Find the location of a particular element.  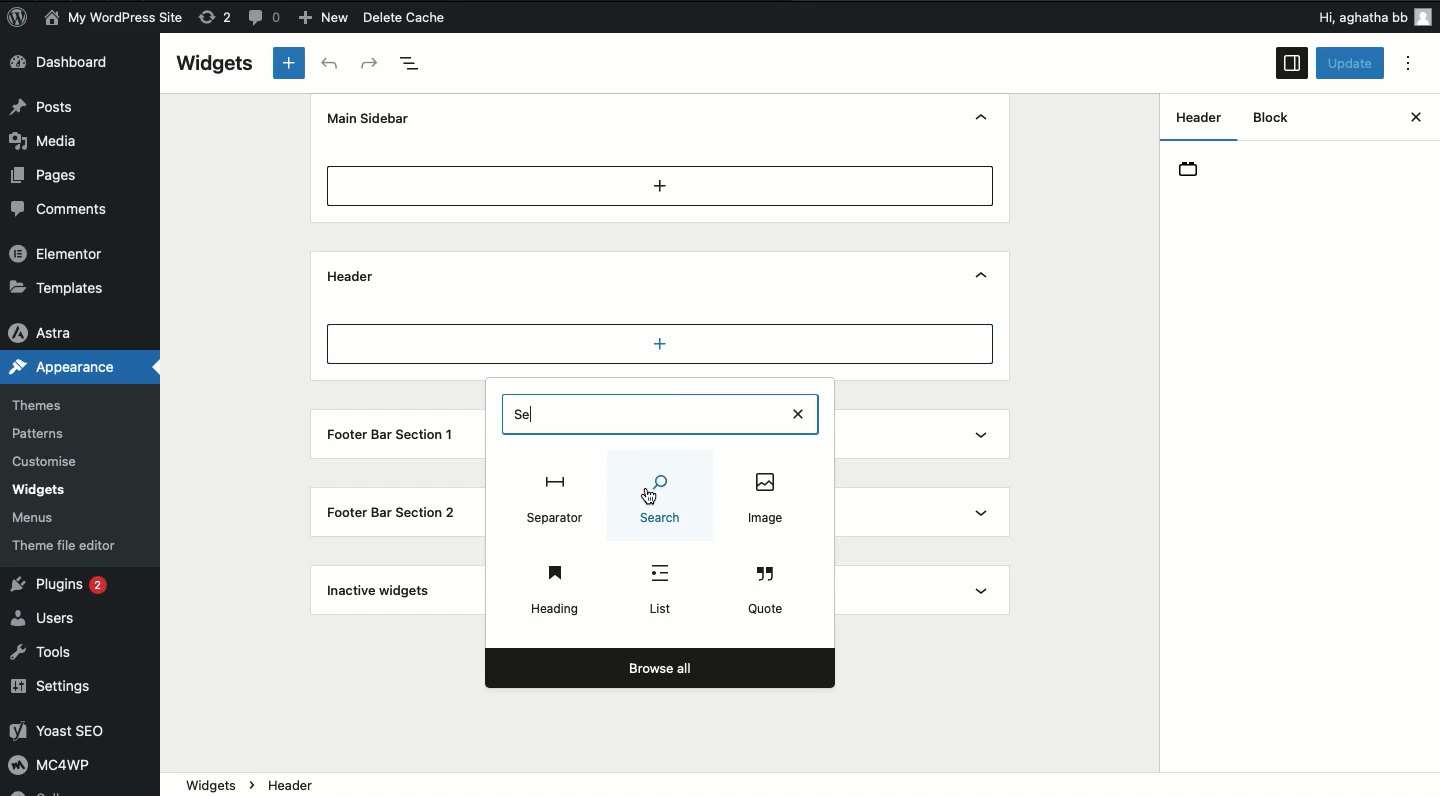

Options is located at coordinates (1414, 64).